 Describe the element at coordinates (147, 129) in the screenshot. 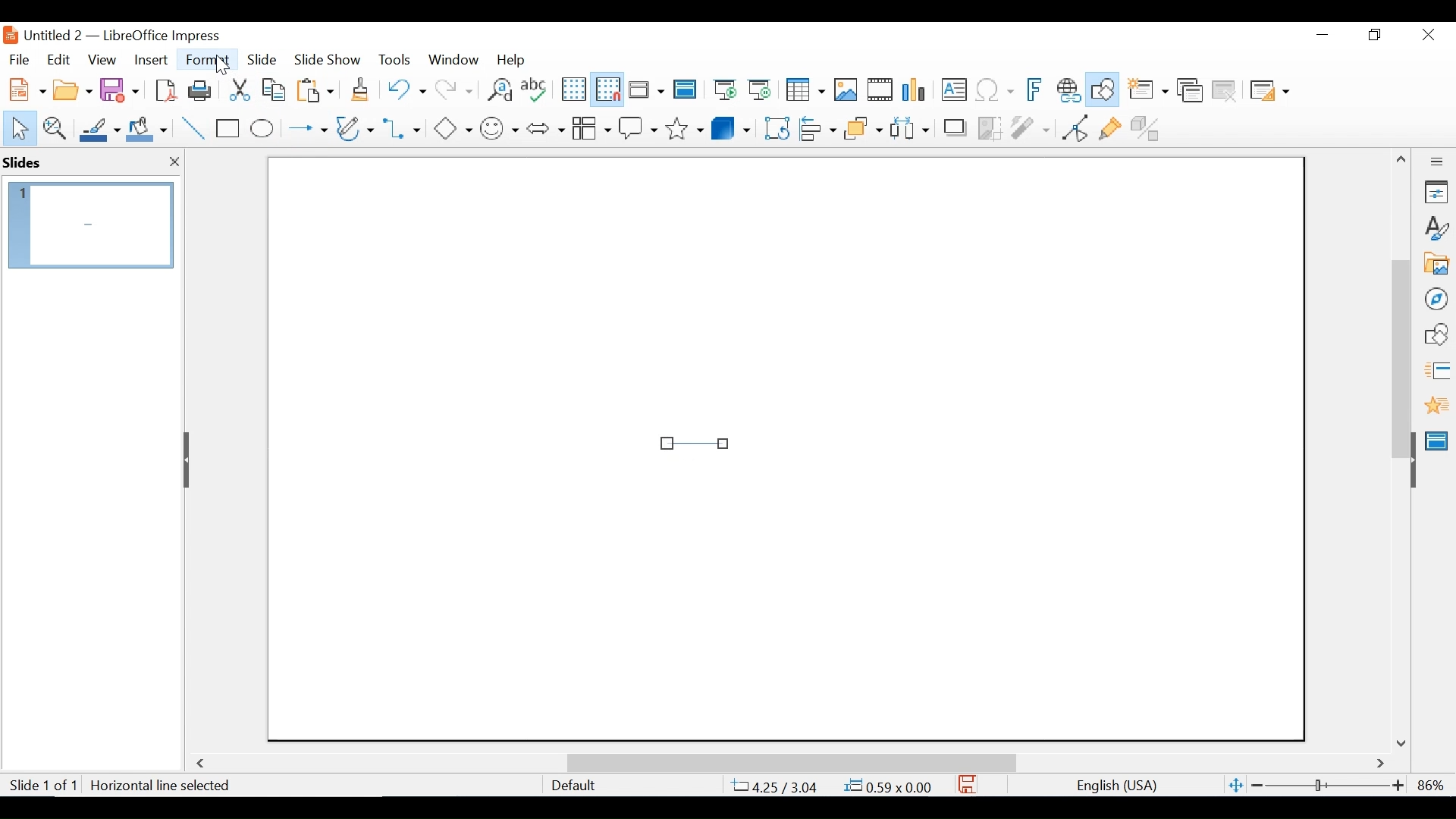

I see `Fill Color` at that location.